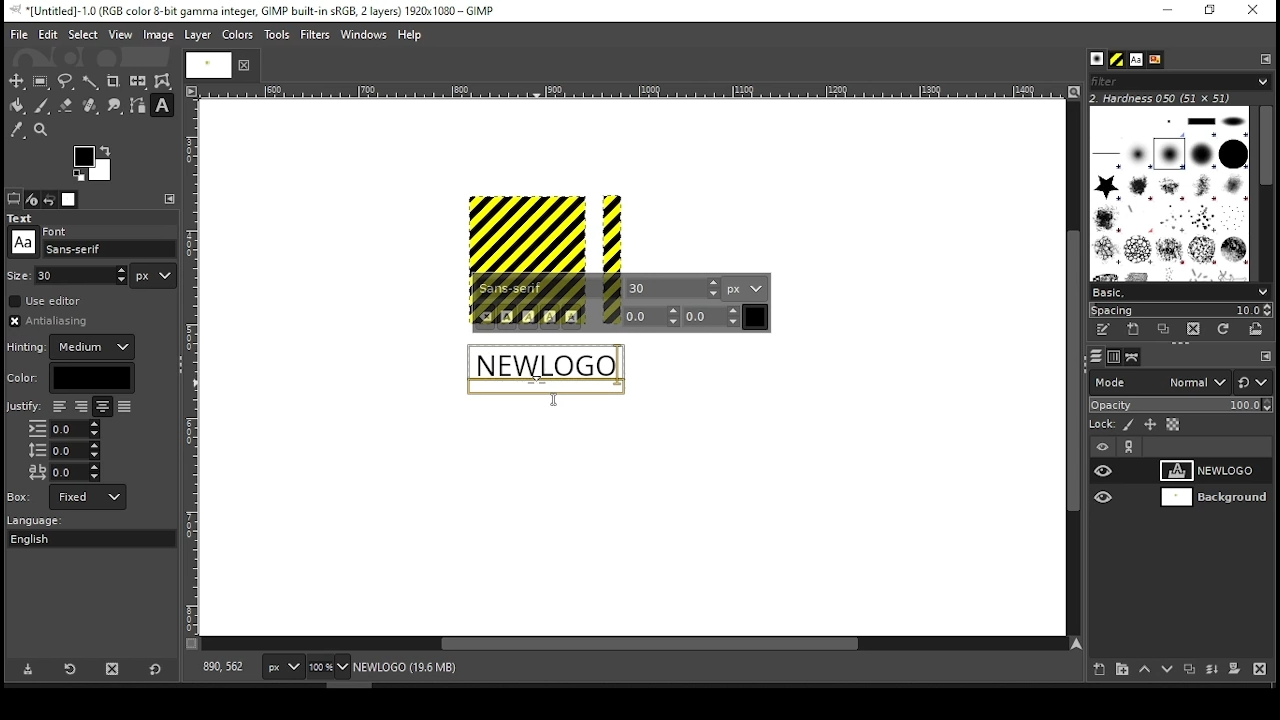 This screenshot has width=1280, height=720. I want to click on new layer group  , so click(1121, 669).